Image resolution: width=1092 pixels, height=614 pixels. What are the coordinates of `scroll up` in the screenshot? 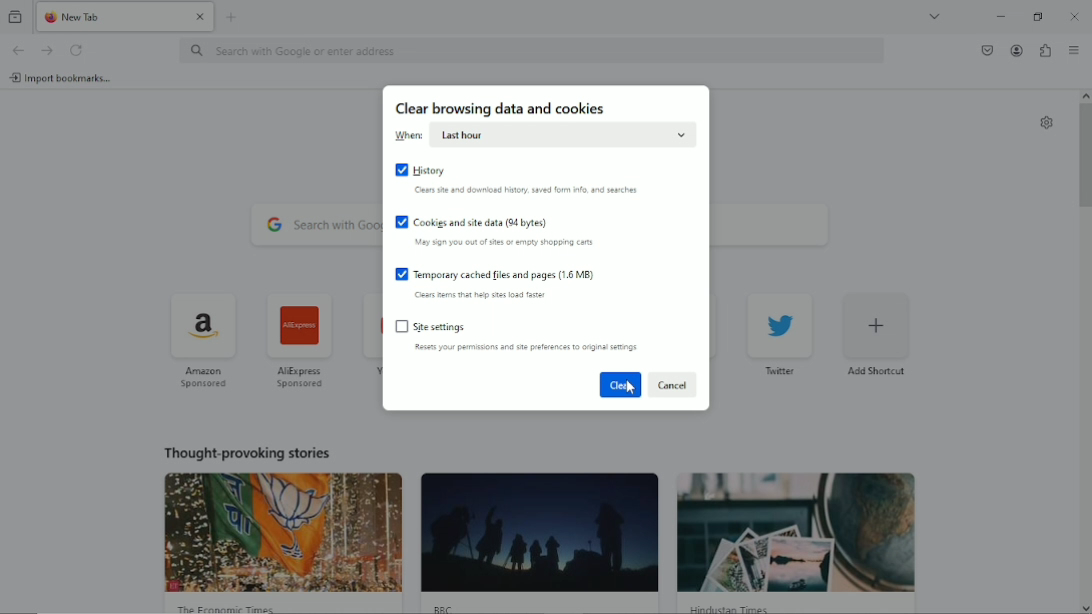 It's located at (1085, 95).